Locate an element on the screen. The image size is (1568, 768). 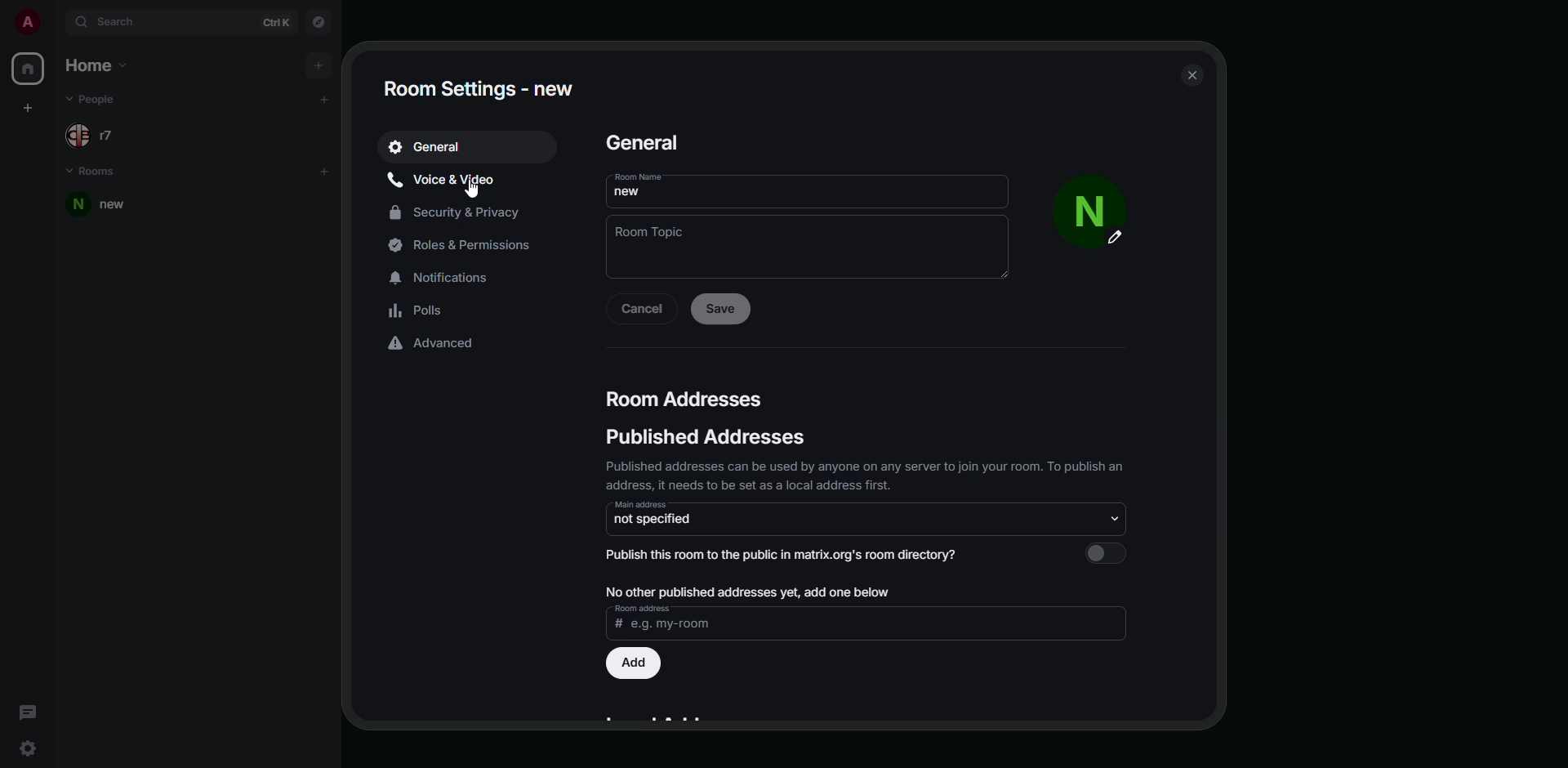
drop down is located at coordinates (1114, 517).